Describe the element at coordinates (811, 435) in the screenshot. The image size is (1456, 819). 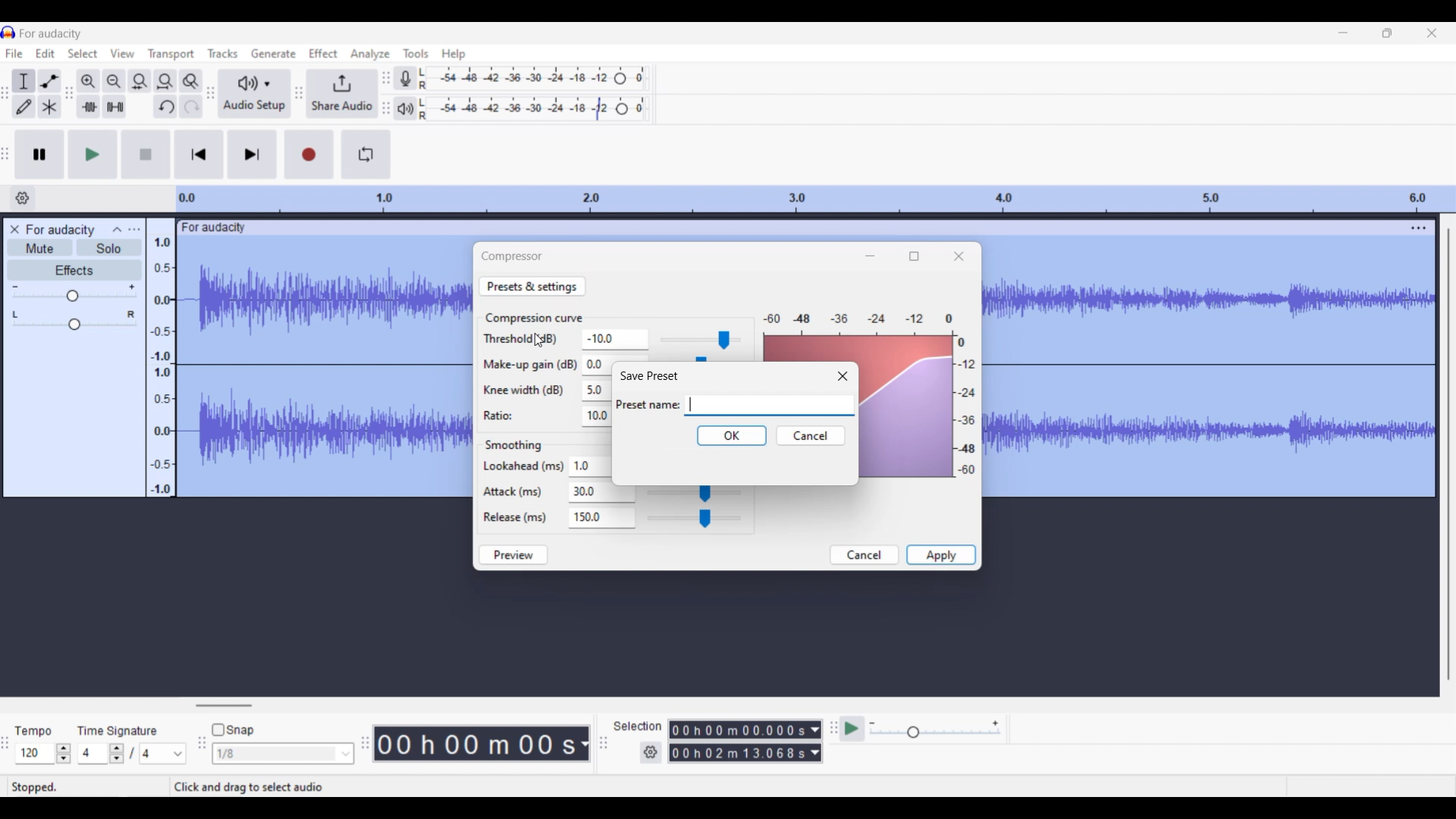
I see `Cancel` at that location.